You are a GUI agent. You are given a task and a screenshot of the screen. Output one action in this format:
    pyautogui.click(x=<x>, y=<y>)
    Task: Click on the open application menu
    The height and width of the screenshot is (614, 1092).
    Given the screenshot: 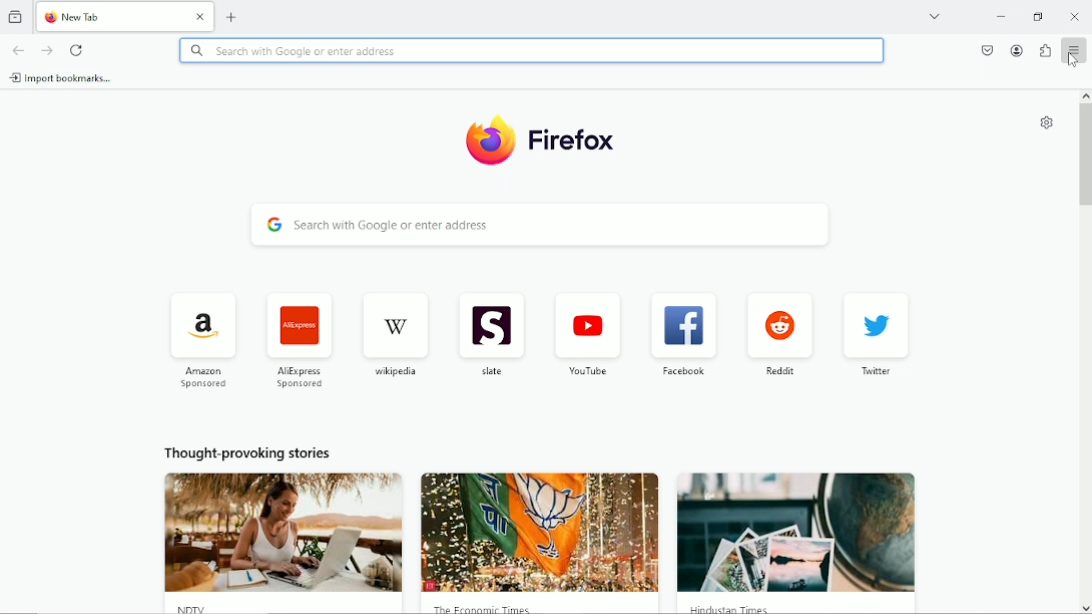 What is the action you would take?
    pyautogui.click(x=1072, y=50)
    